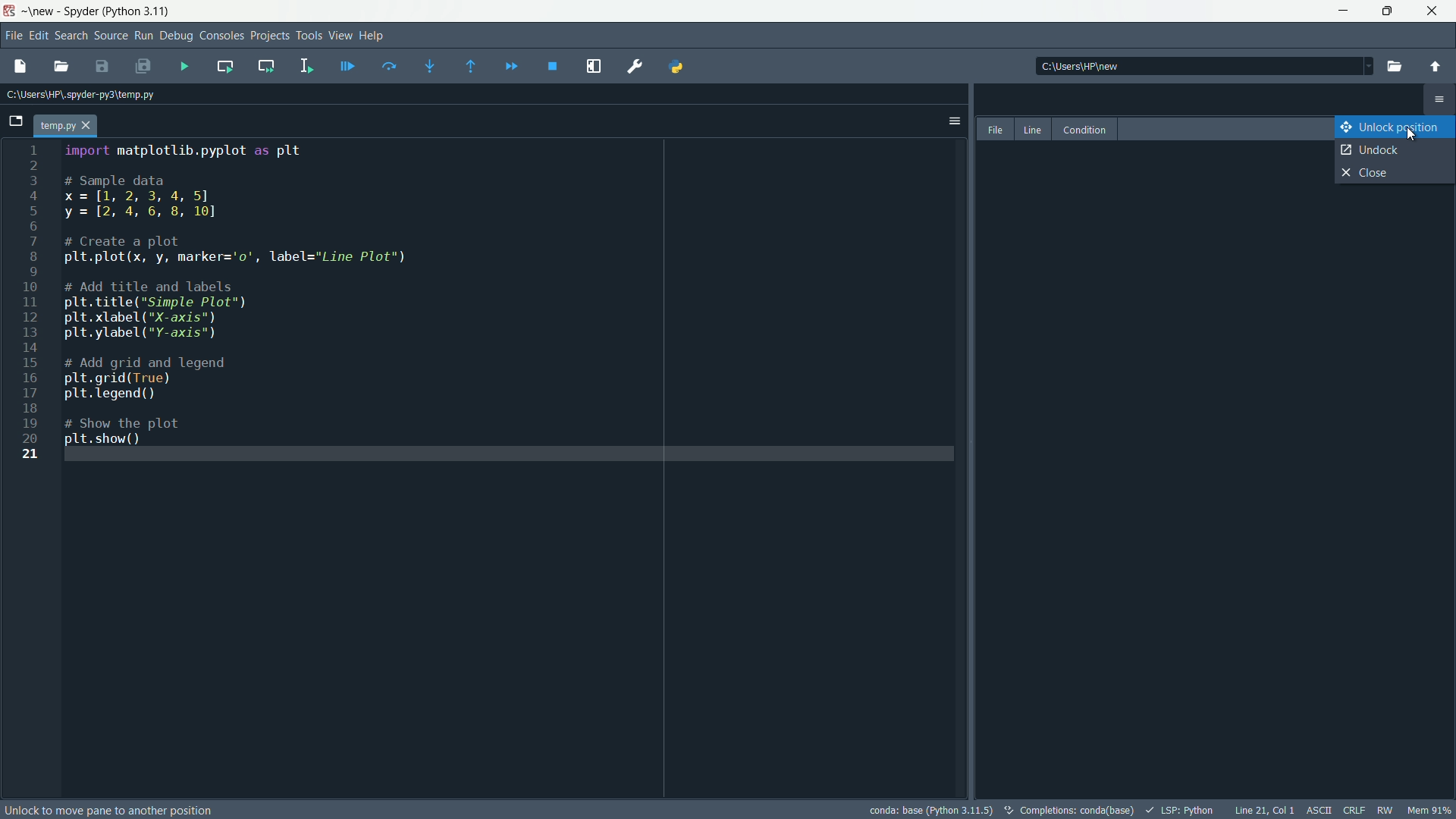 The image size is (1456, 819). What do you see at coordinates (1354, 811) in the screenshot?
I see `CRLF` at bounding box center [1354, 811].